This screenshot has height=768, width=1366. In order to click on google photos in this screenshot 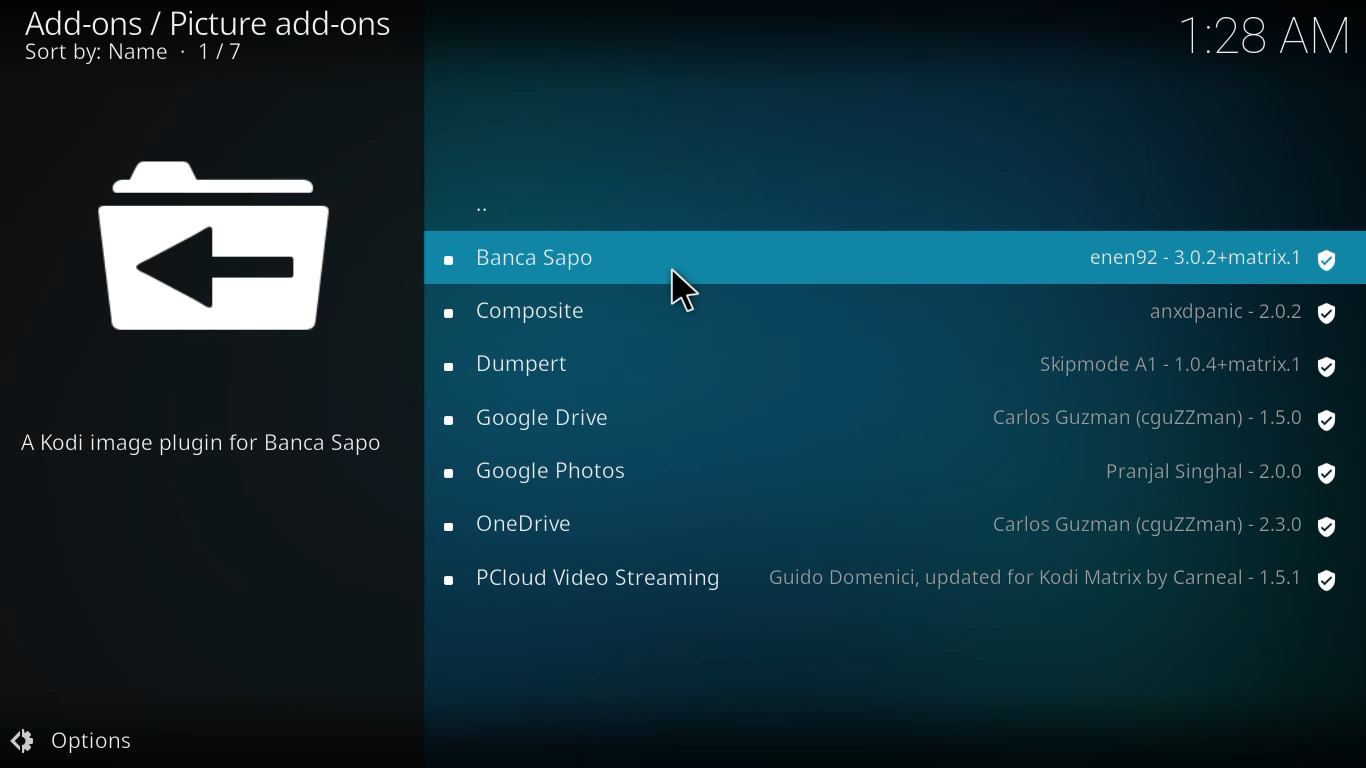, I will do `click(540, 473)`.